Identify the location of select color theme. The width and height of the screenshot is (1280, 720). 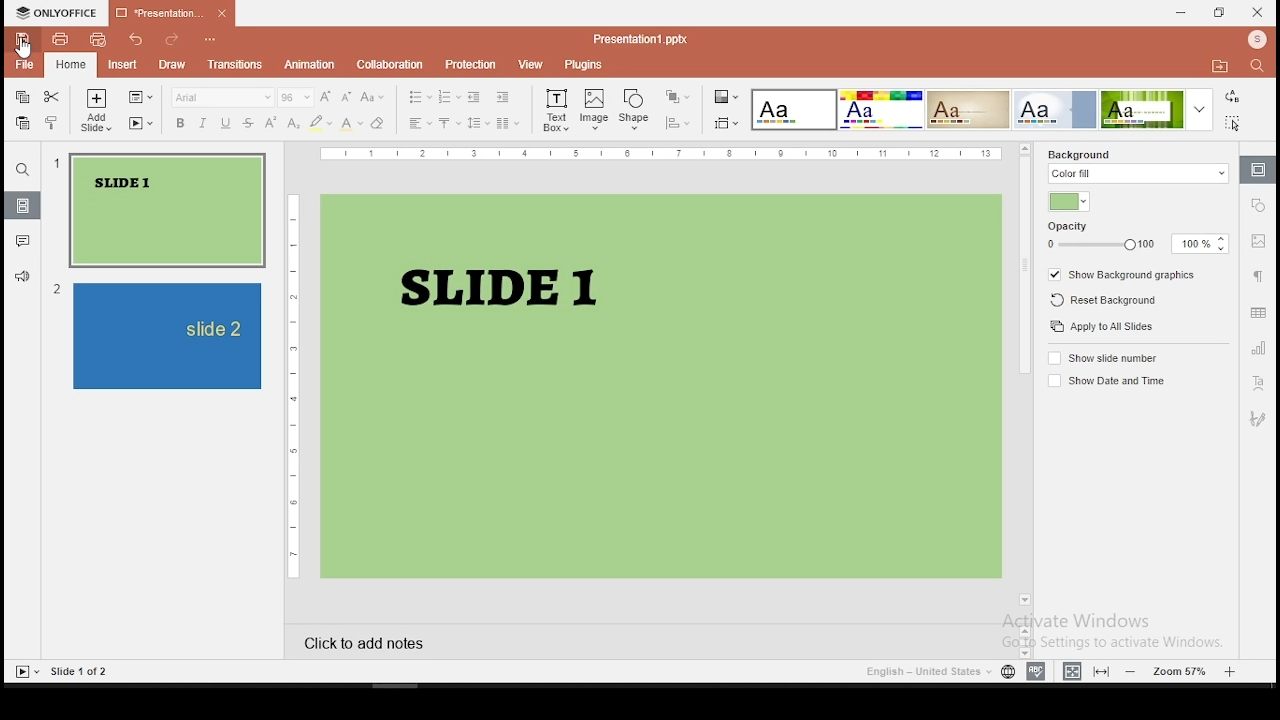
(1142, 109).